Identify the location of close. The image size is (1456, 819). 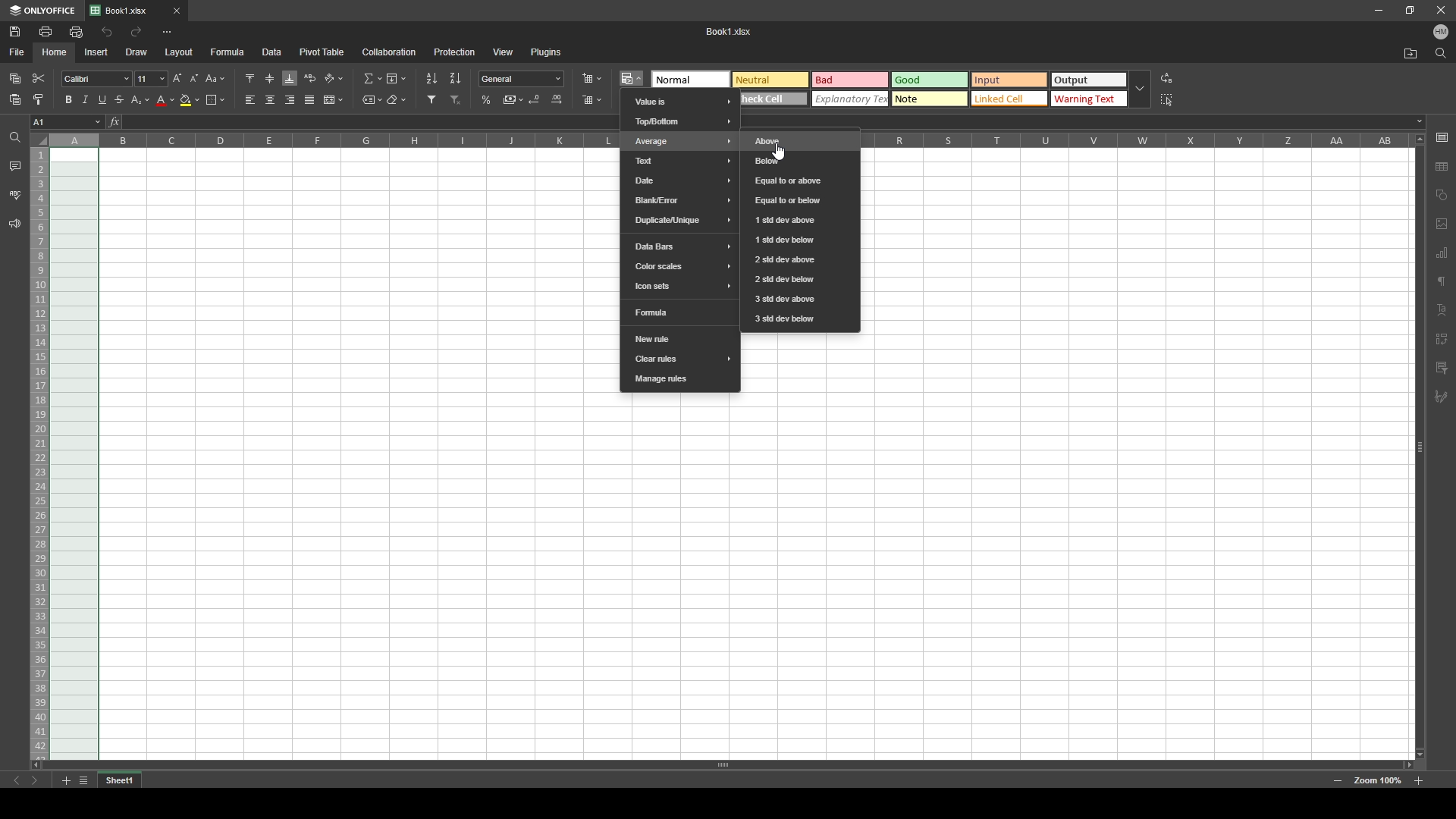
(1441, 11).